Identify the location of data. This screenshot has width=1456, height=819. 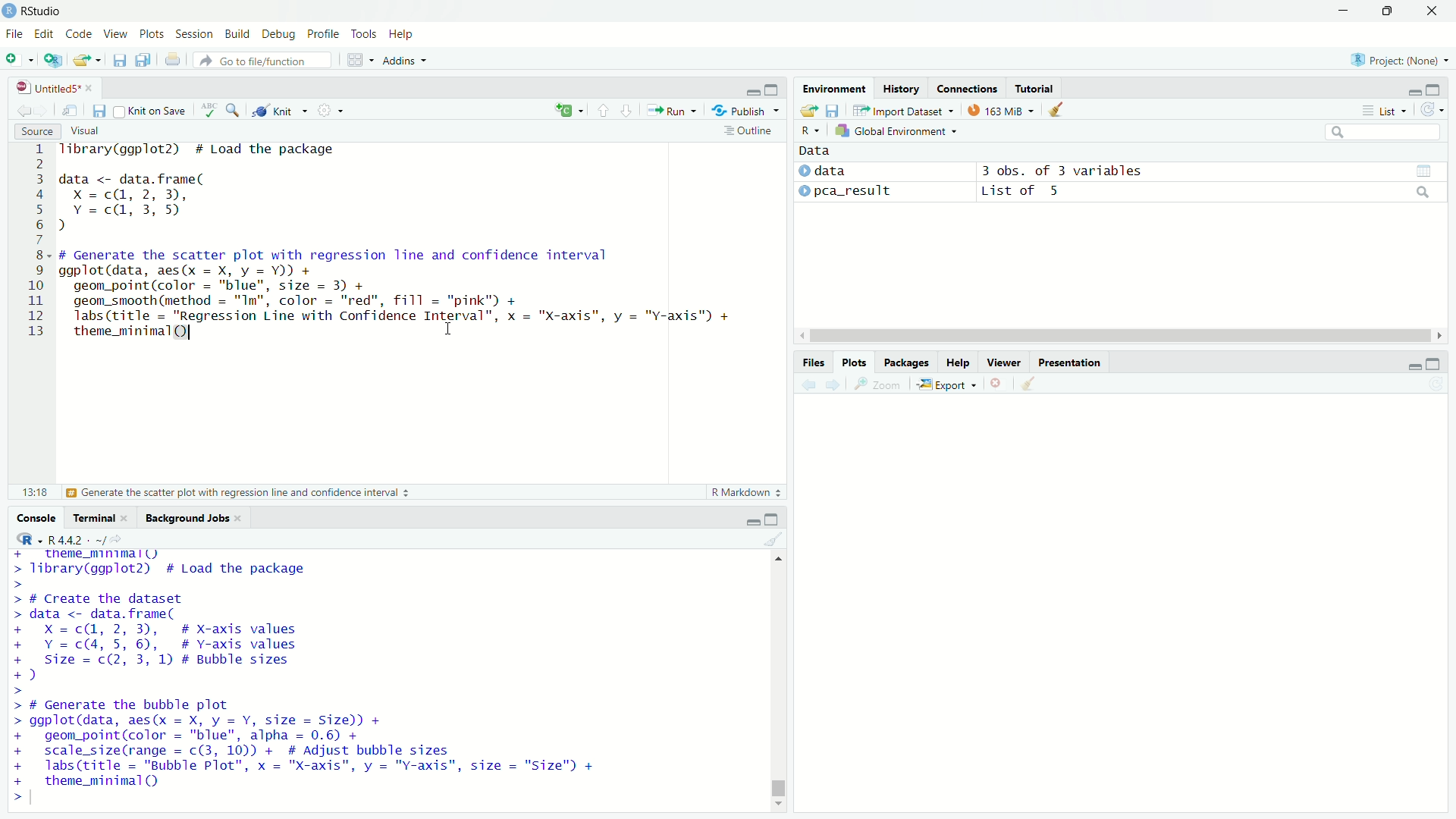
(833, 171).